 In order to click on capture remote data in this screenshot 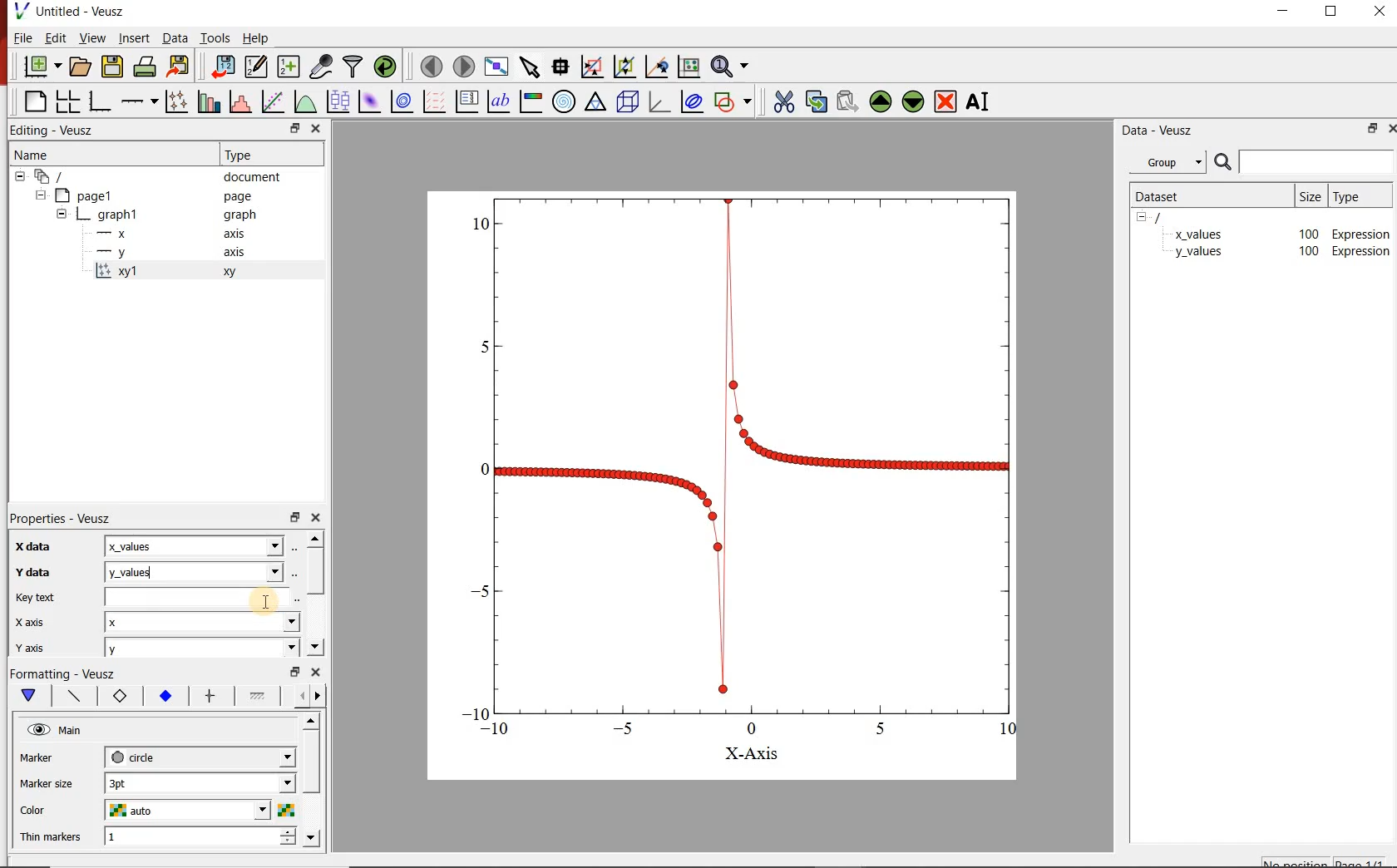, I will do `click(321, 66)`.